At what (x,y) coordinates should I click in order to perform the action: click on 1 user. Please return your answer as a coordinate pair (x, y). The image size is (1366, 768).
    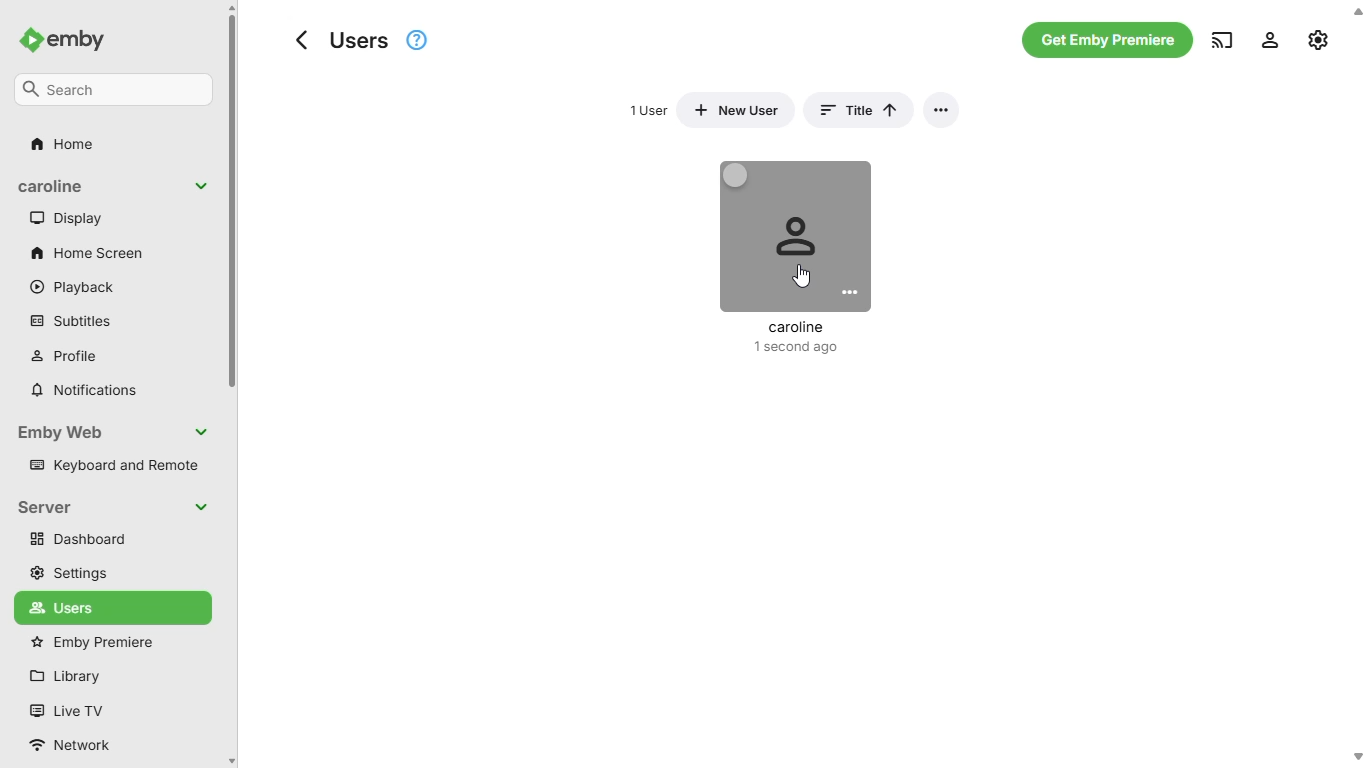
    Looking at the image, I should click on (650, 110).